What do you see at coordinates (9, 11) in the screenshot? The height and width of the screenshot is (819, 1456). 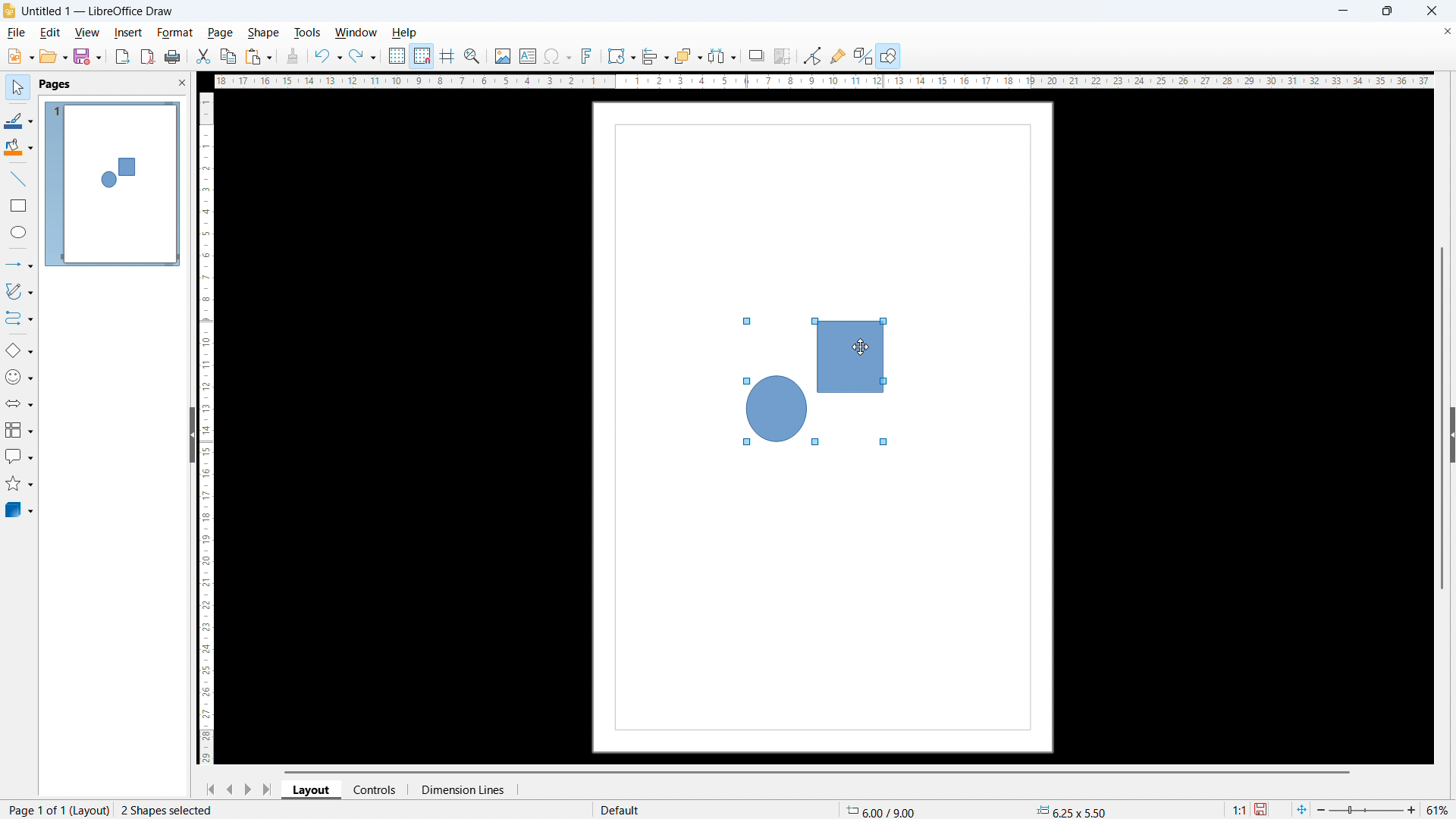 I see `logo` at bounding box center [9, 11].